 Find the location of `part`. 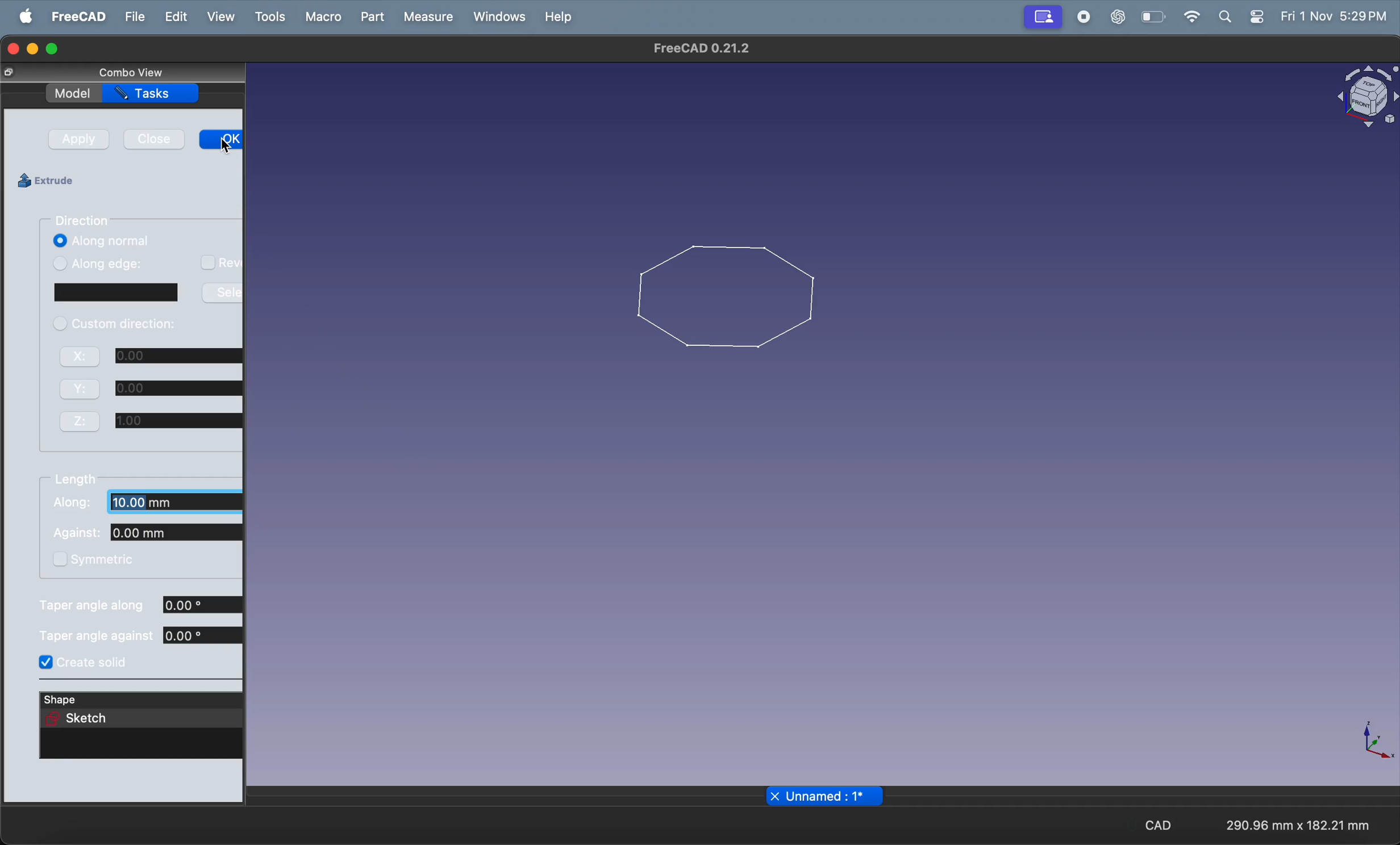

part is located at coordinates (368, 20).